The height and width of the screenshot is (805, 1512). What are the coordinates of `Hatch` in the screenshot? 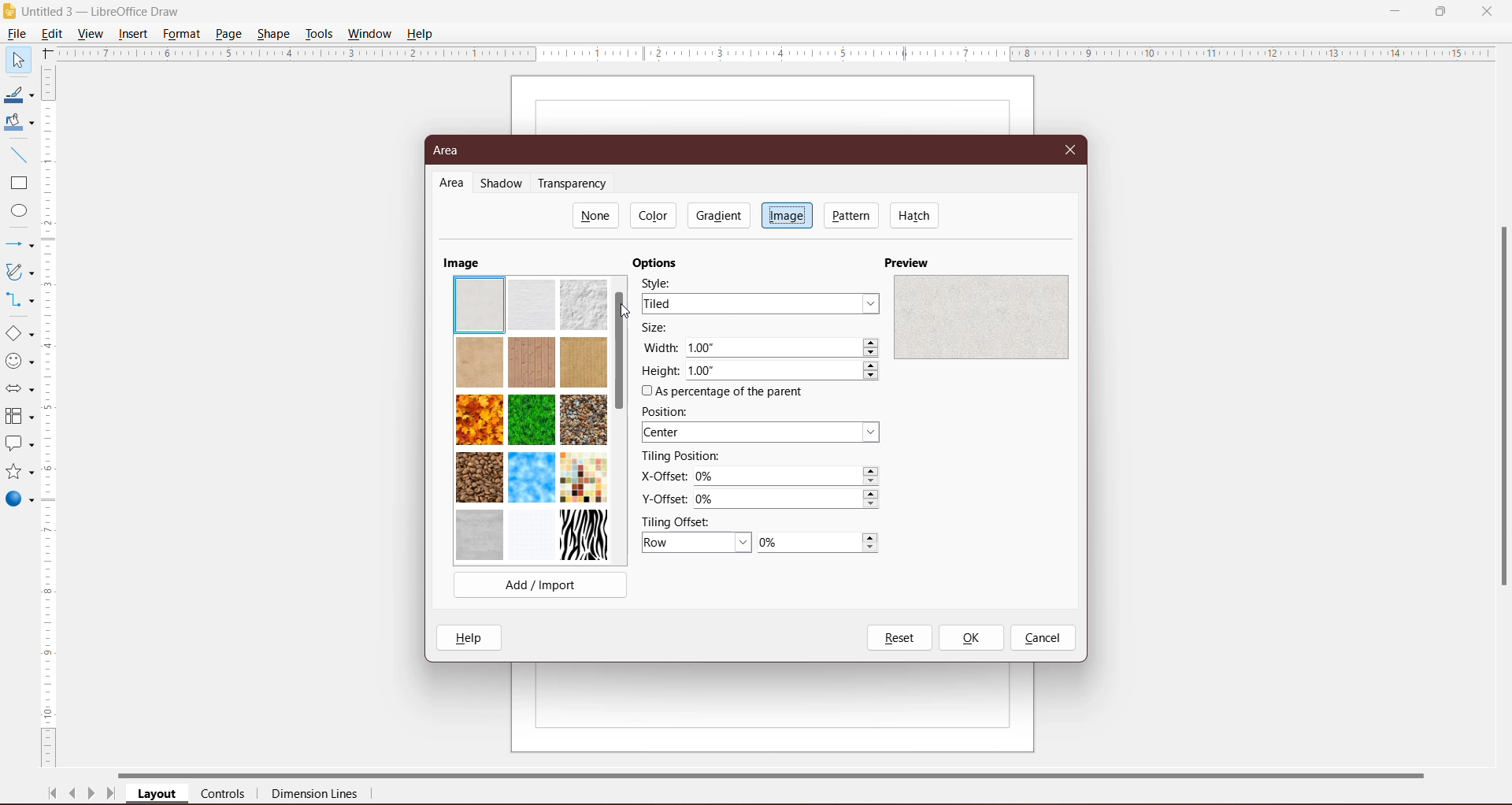 It's located at (915, 215).